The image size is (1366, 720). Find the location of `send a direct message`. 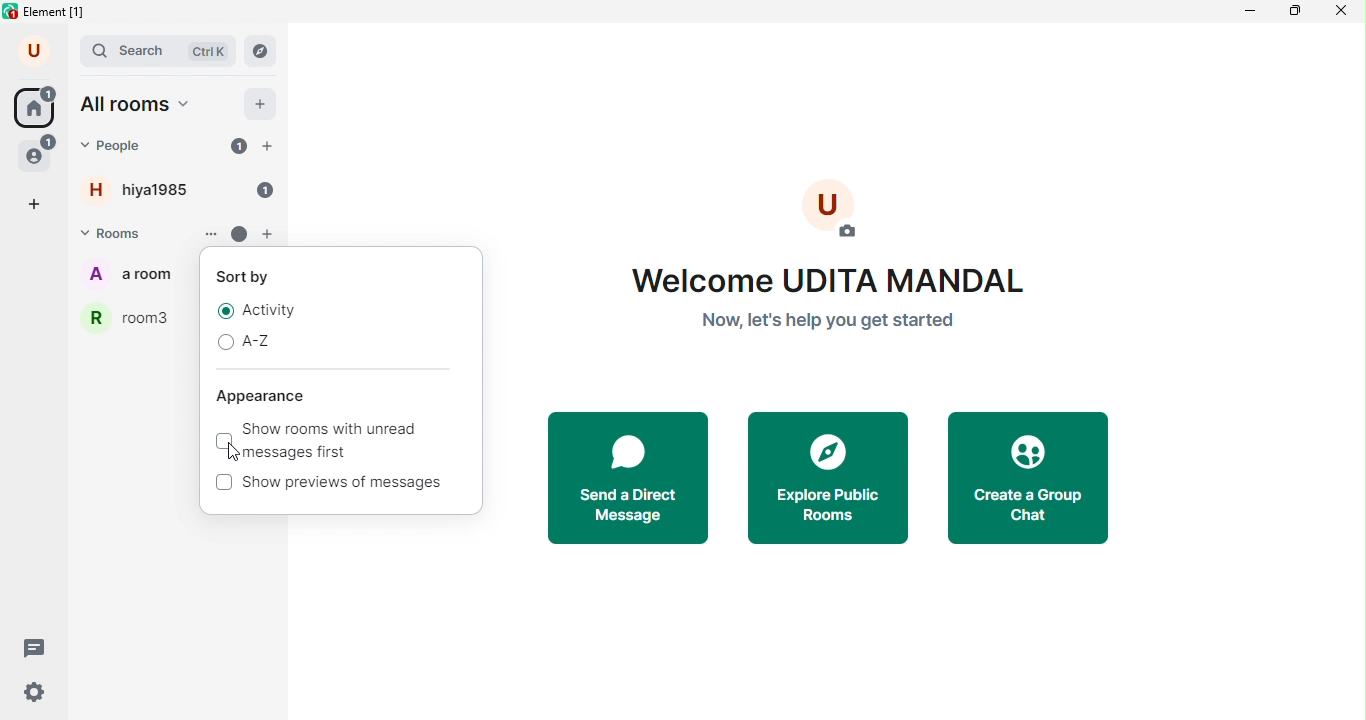

send a direct message is located at coordinates (631, 477).